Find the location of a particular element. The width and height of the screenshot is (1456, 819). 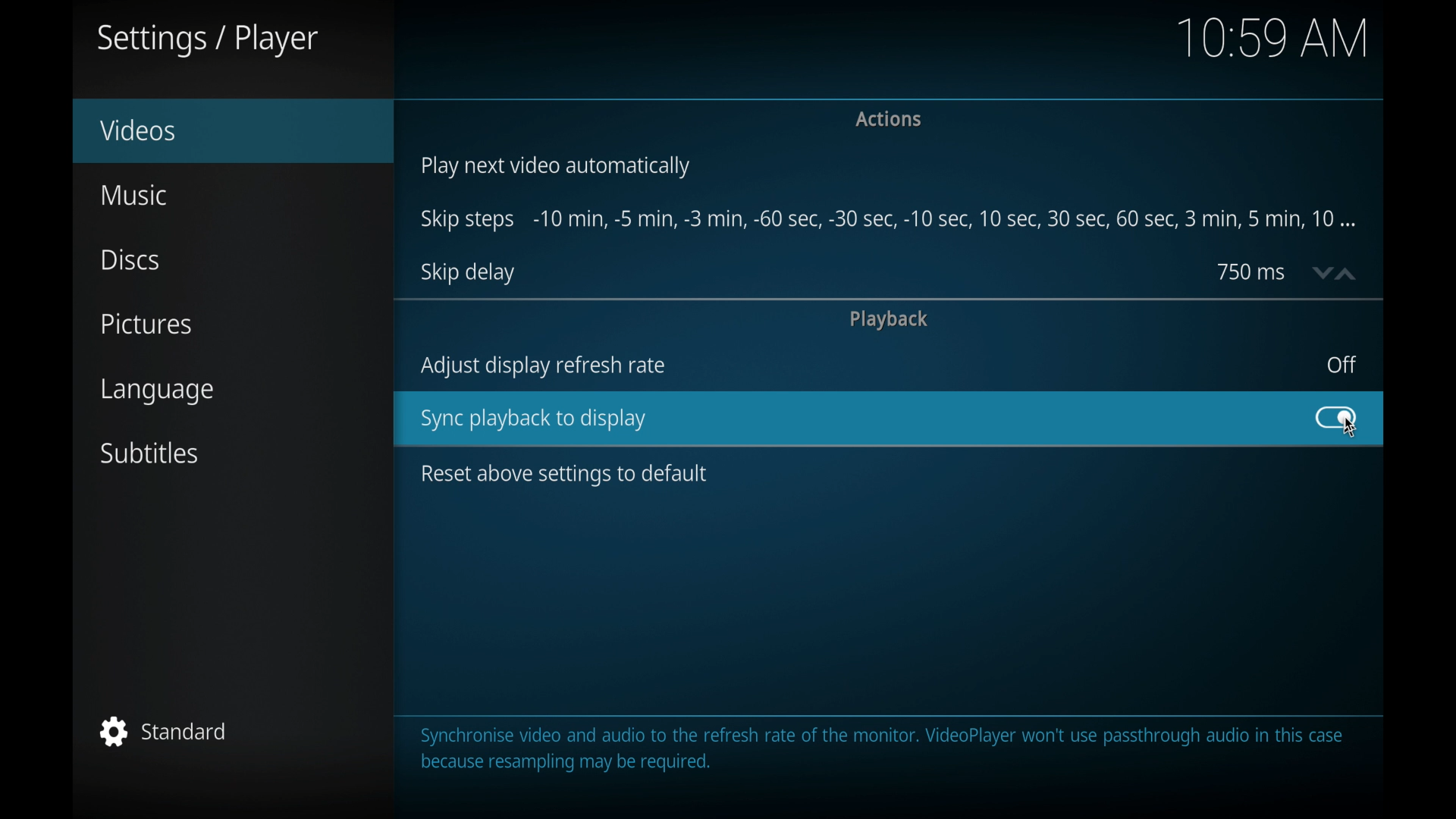

cursor is located at coordinates (1351, 429).